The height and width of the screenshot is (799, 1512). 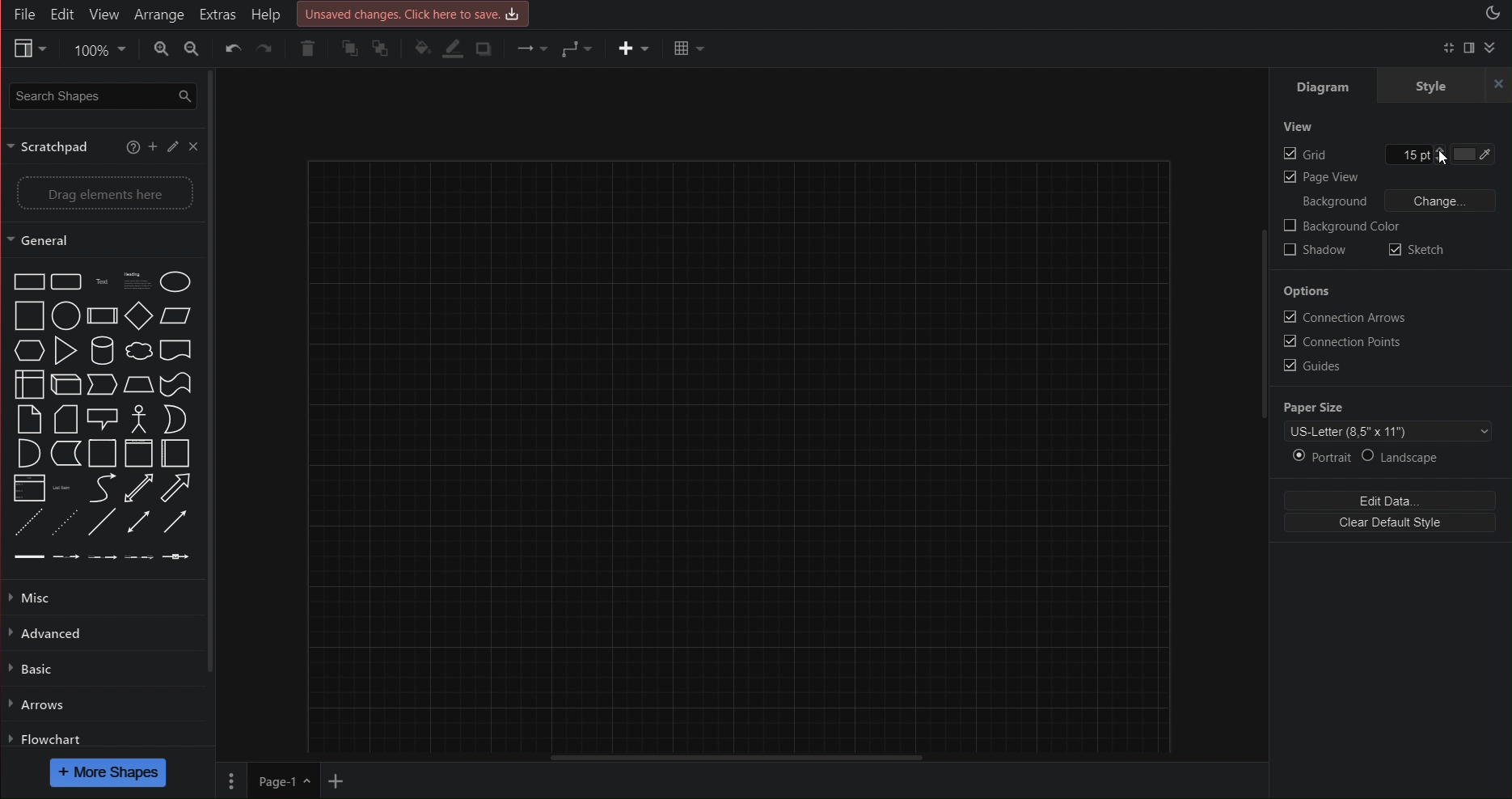 What do you see at coordinates (270, 13) in the screenshot?
I see `Help` at bounding box center [270, 13].